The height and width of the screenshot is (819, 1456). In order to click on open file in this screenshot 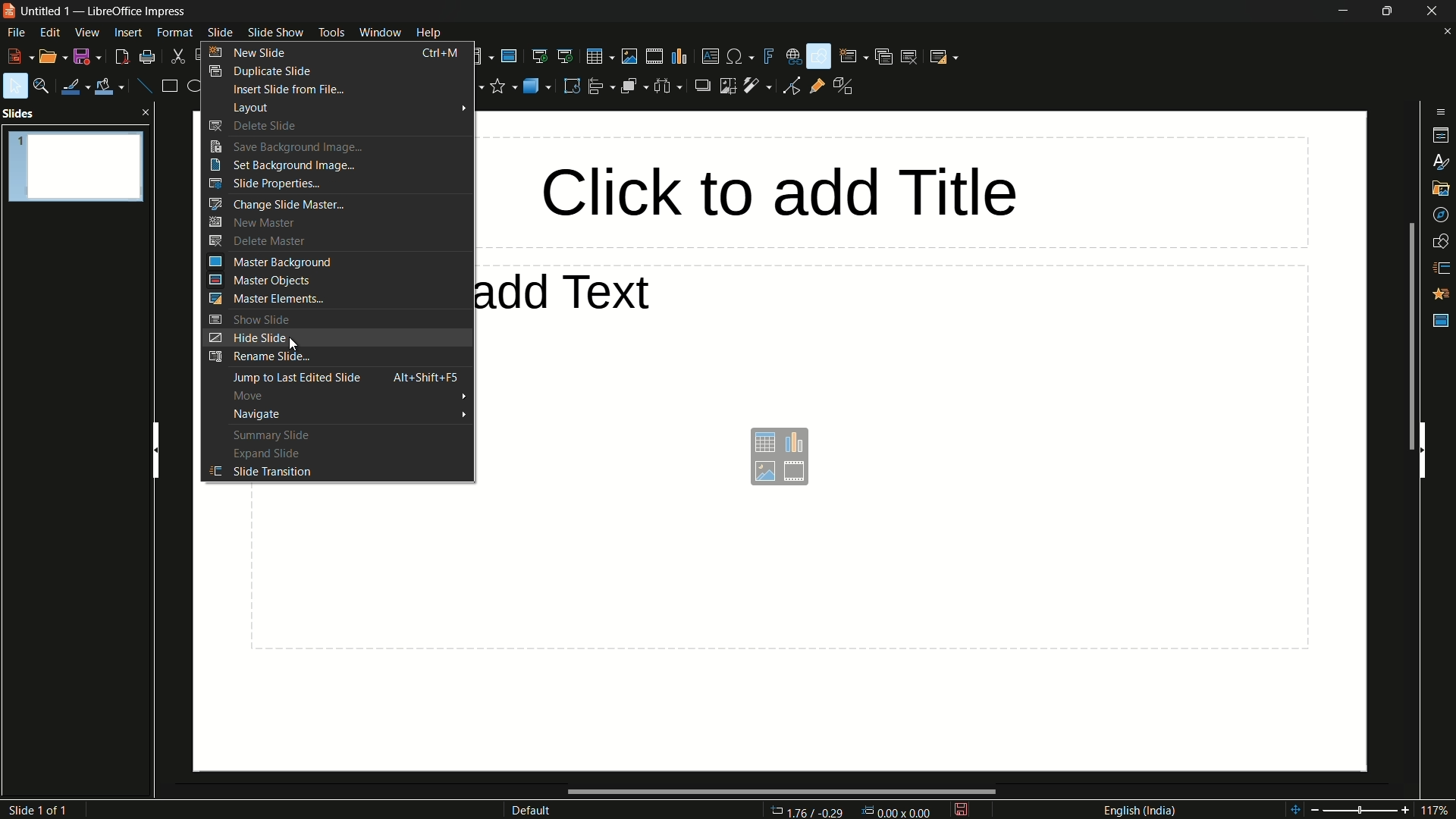, I will do `click(51, 58)`.